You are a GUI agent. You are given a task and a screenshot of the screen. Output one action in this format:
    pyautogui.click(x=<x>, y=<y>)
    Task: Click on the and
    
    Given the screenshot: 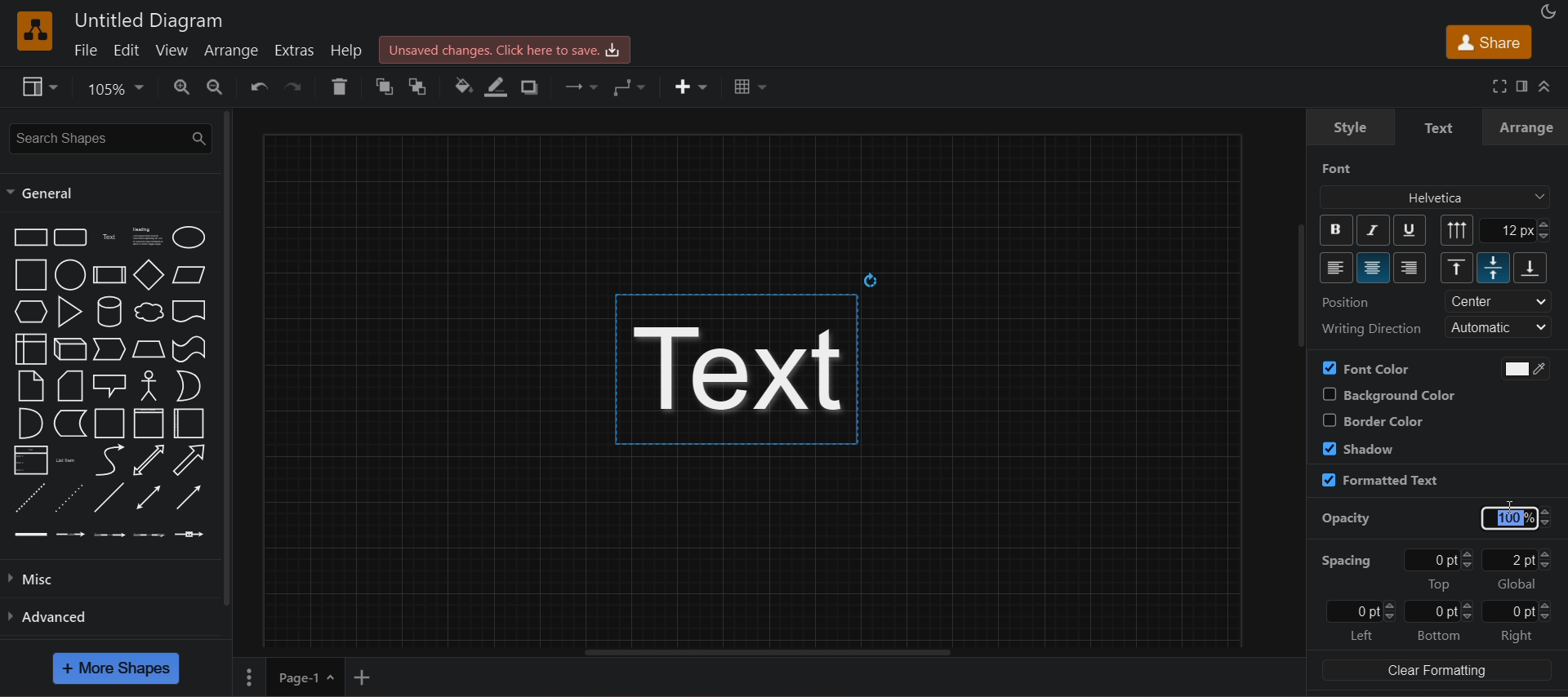 What is the action you would take?
    pyautogui.click(x=31, y=423)
    